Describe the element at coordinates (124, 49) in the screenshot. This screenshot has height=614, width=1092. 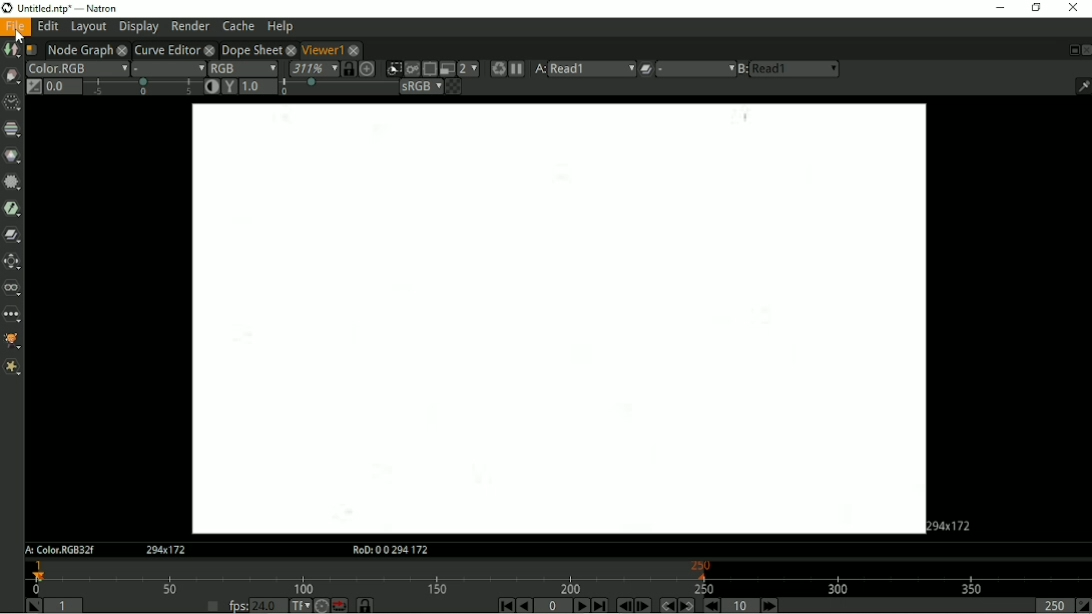
I see `close` at that location.